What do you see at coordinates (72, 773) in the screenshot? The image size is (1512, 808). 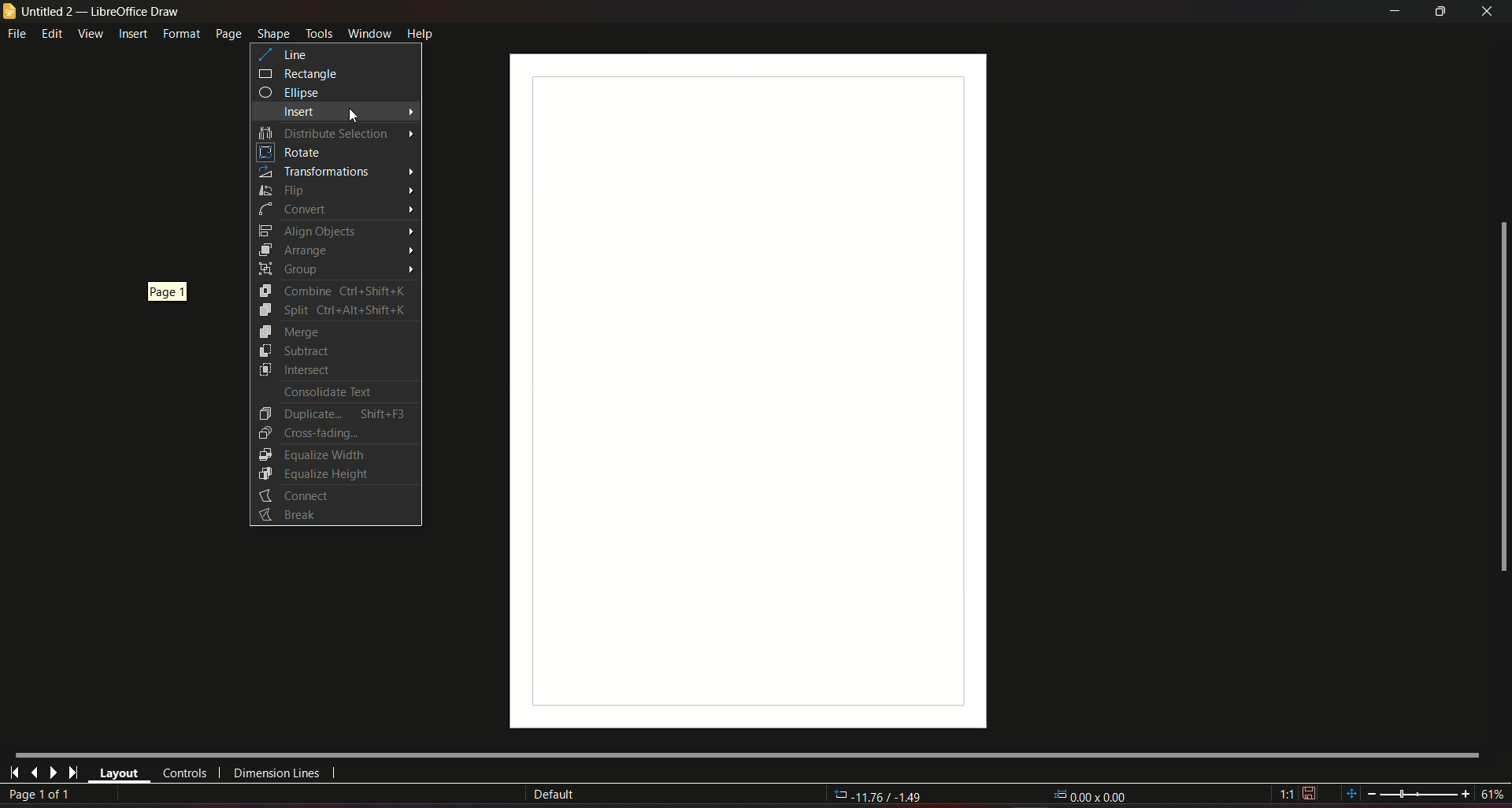 I see `last page` at bounding box center [72, 773].